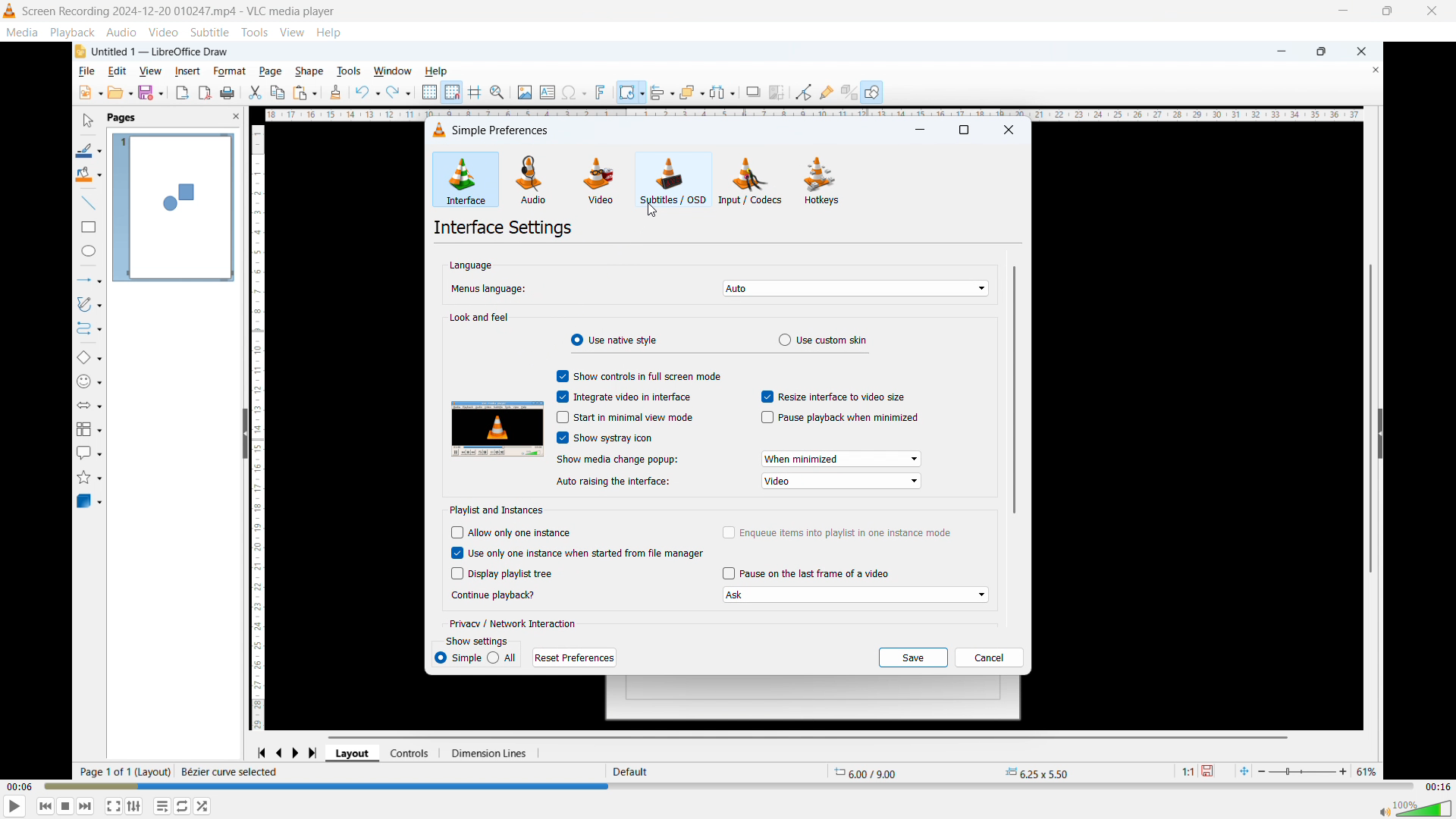 The width and height of the screenshot is (1456, 819). Describe the element at coordinates (613, 482) in the screenshot. I see `Auto raising the interface` at that location.